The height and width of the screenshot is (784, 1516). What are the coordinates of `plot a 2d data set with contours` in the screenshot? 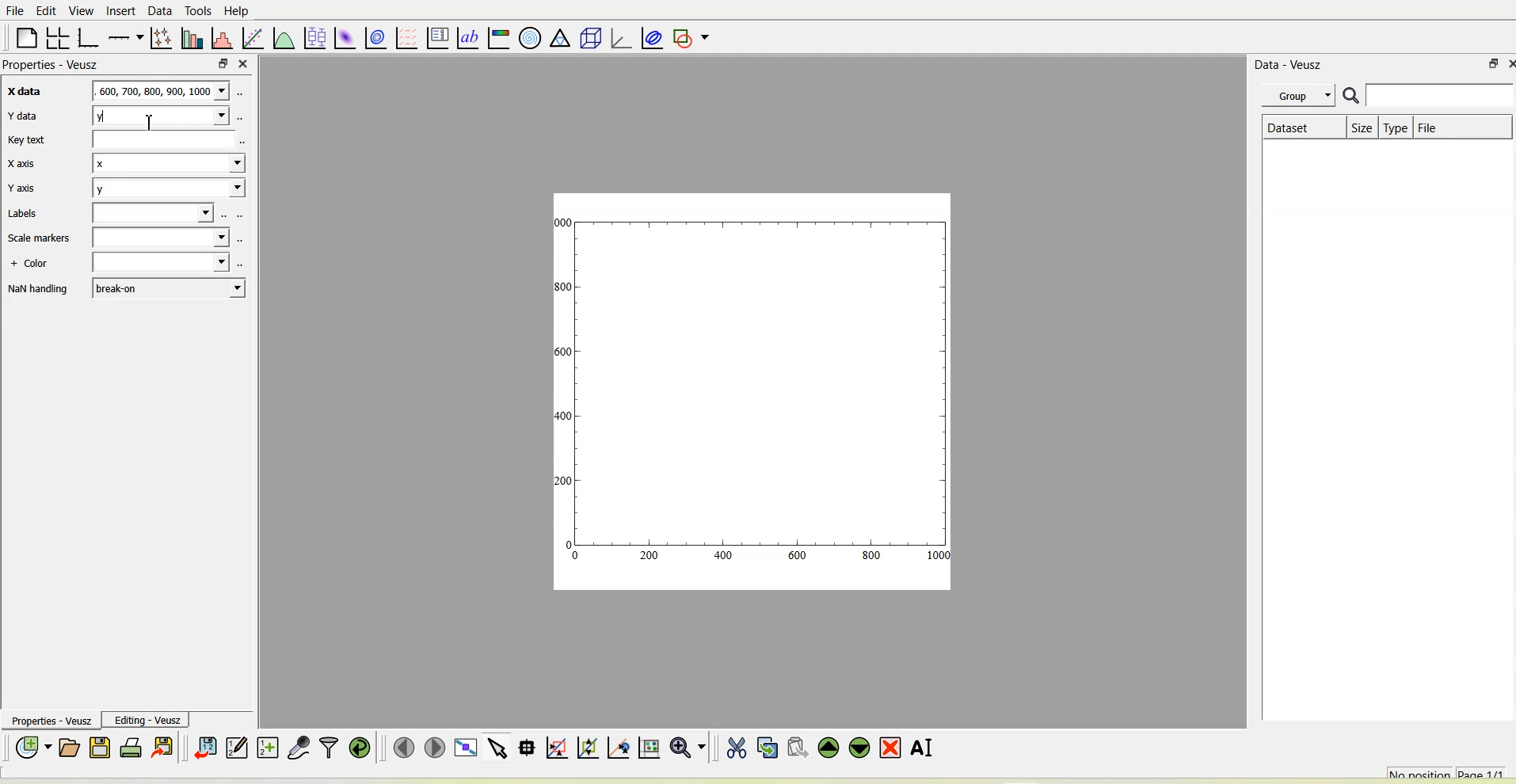 It's located at (375, 38).